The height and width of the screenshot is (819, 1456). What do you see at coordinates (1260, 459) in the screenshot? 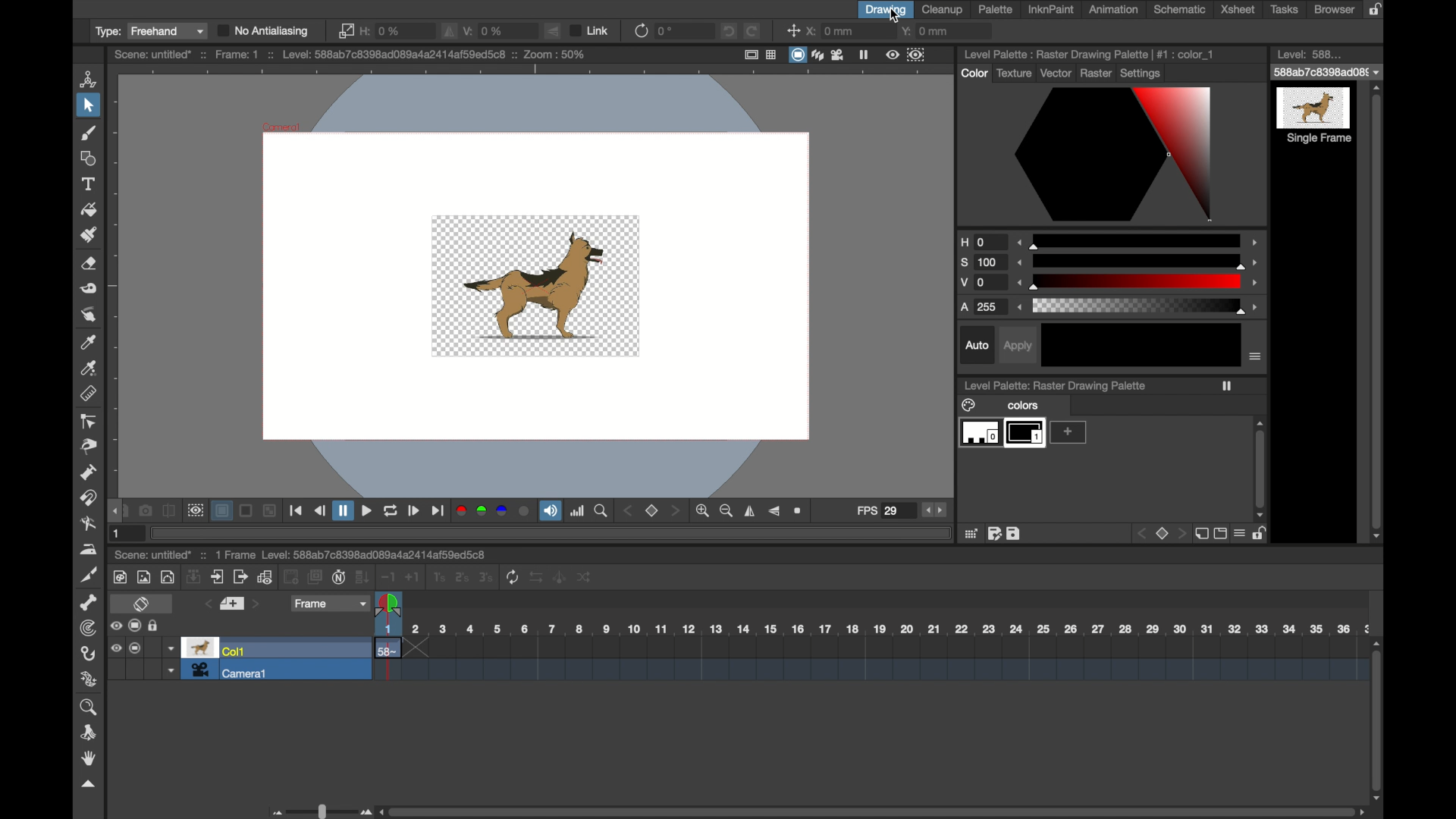
I see `scroll bar` at bounding box center [1260, 459].